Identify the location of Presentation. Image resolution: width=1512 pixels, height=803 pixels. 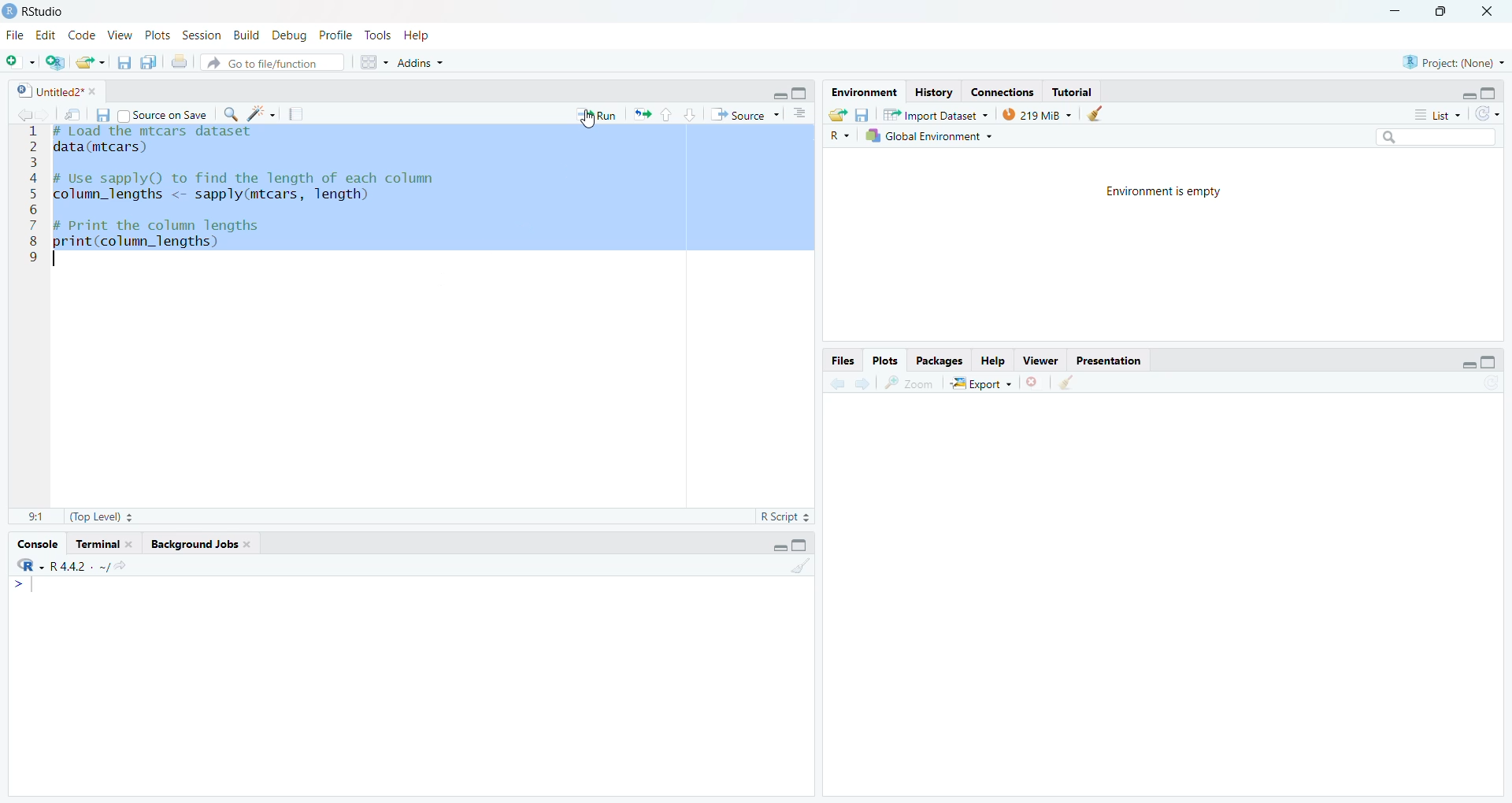
(1109, 361).